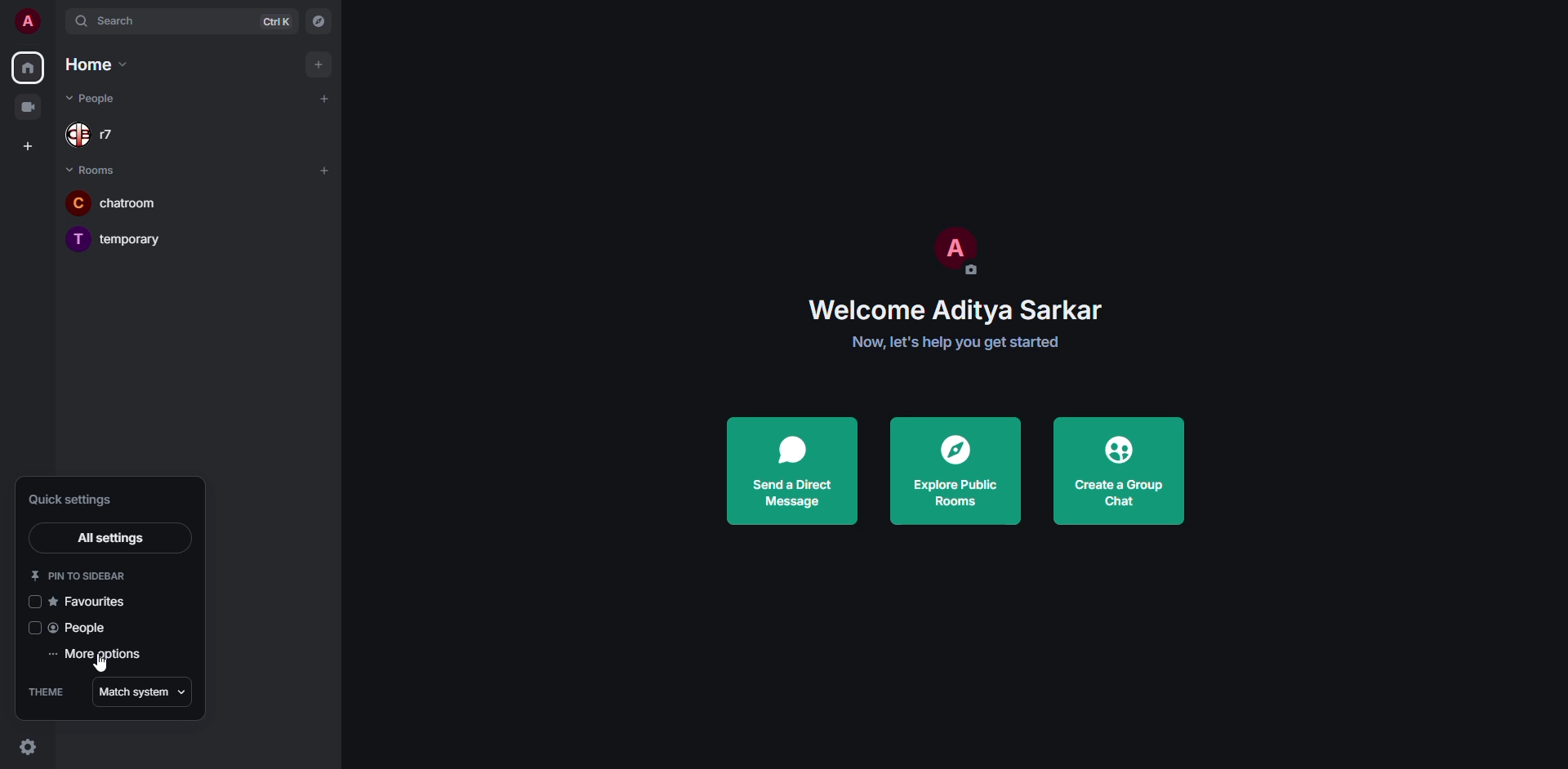 Image resolution: width=1568 pixels, height=769 pixels. Describe the element at coordinates (25, 747) in the screenshot. I see `quick settings` at that location.